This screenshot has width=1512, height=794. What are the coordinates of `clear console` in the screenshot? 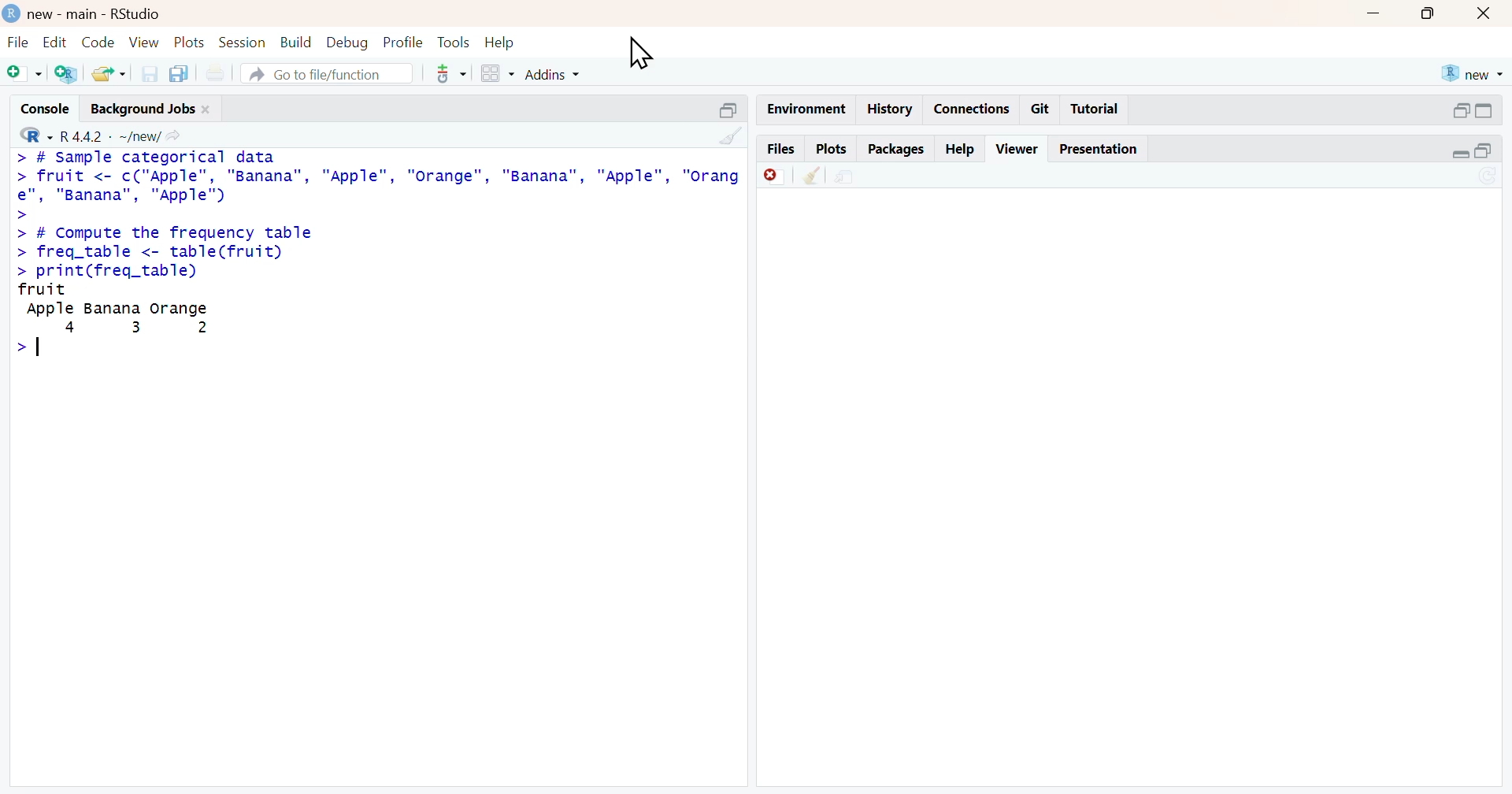 It's located at (730, 137).